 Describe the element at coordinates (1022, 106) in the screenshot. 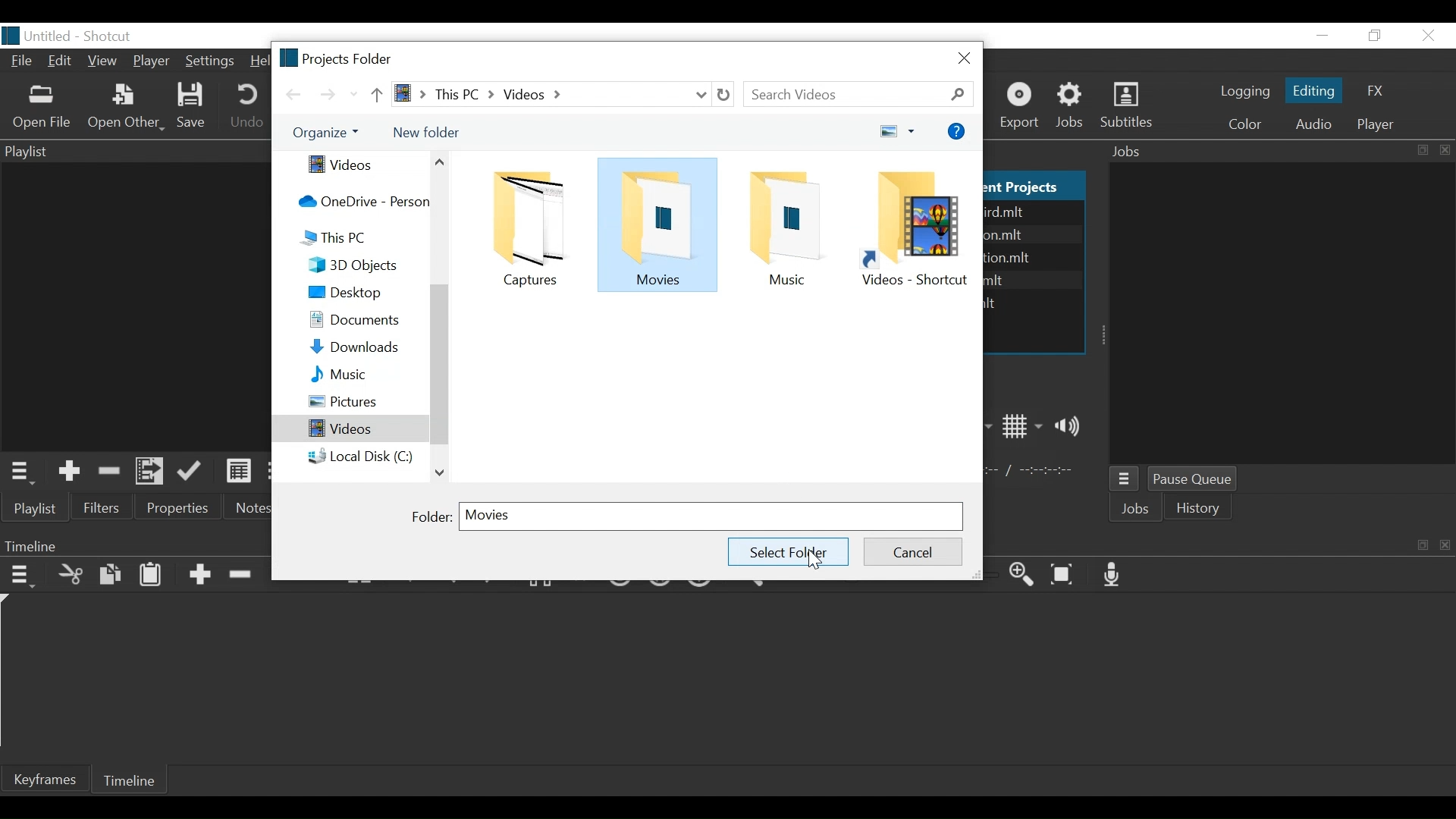

I see `Export` at that location.